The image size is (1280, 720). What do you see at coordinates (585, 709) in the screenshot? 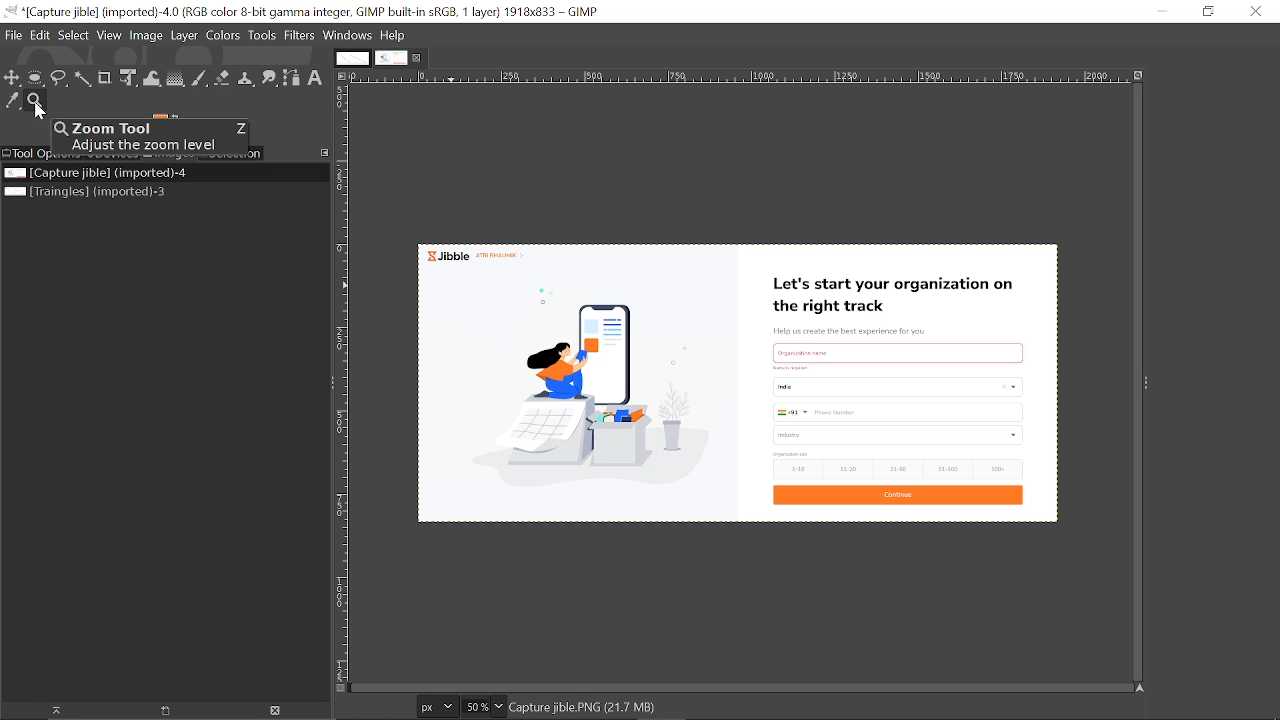
I see `Capture jible.png (21.7 mb)` at bounding box center [585, 709].